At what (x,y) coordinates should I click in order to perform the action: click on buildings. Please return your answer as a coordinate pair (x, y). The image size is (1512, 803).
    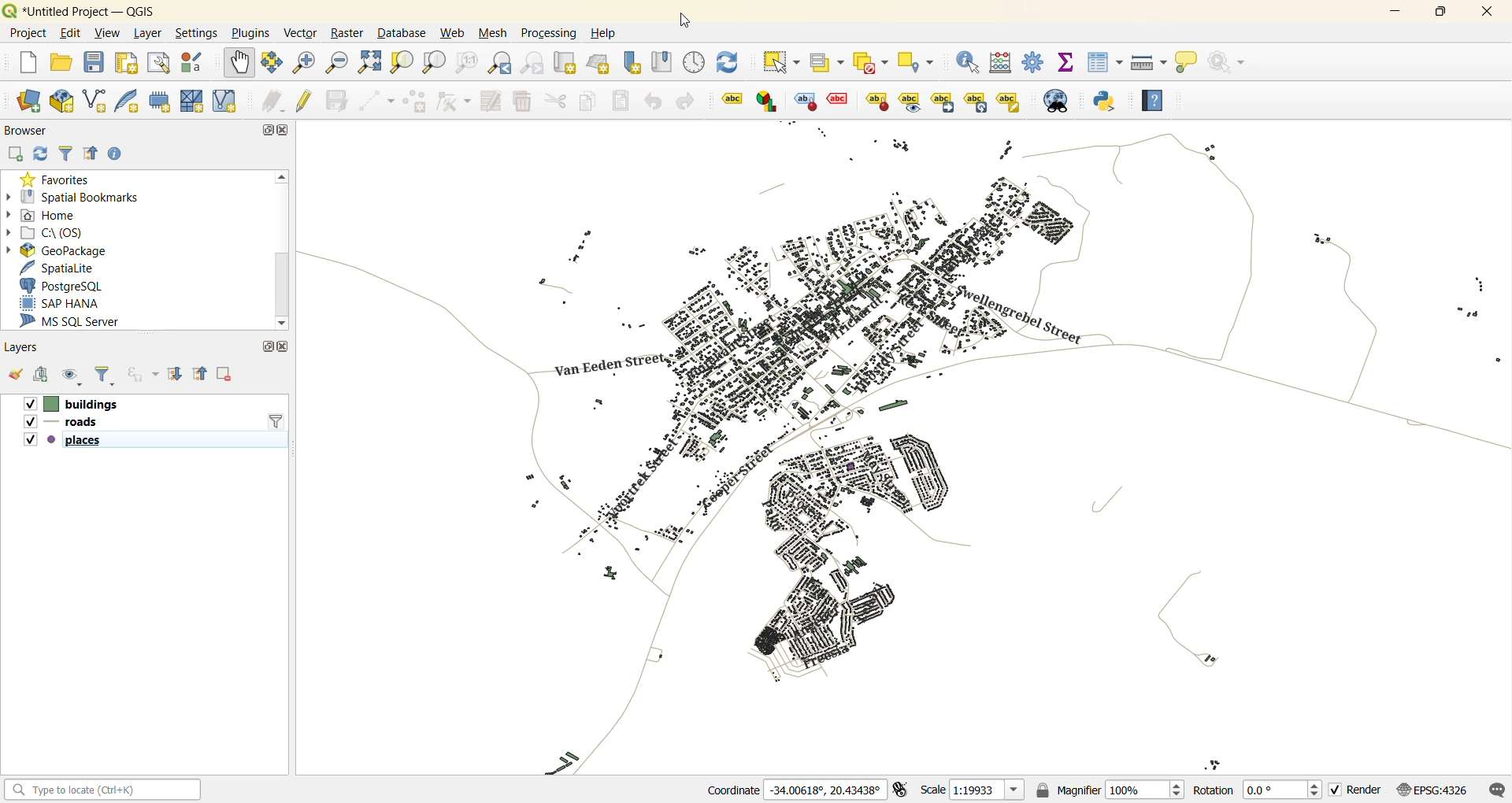
    Looking at the image, I should click on (70, 404).